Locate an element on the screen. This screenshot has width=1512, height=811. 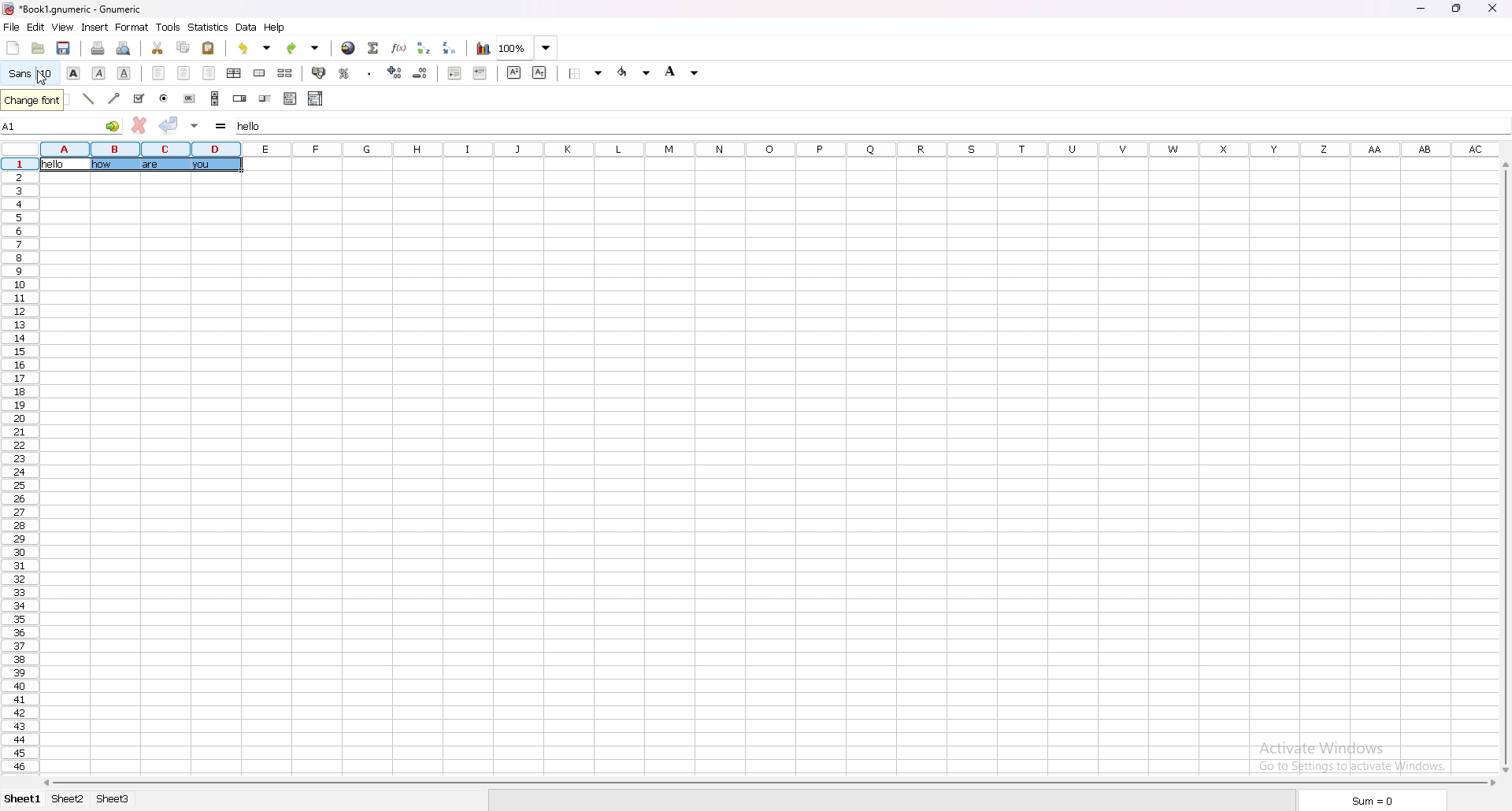
combo box is located at coordinates (316, 98).